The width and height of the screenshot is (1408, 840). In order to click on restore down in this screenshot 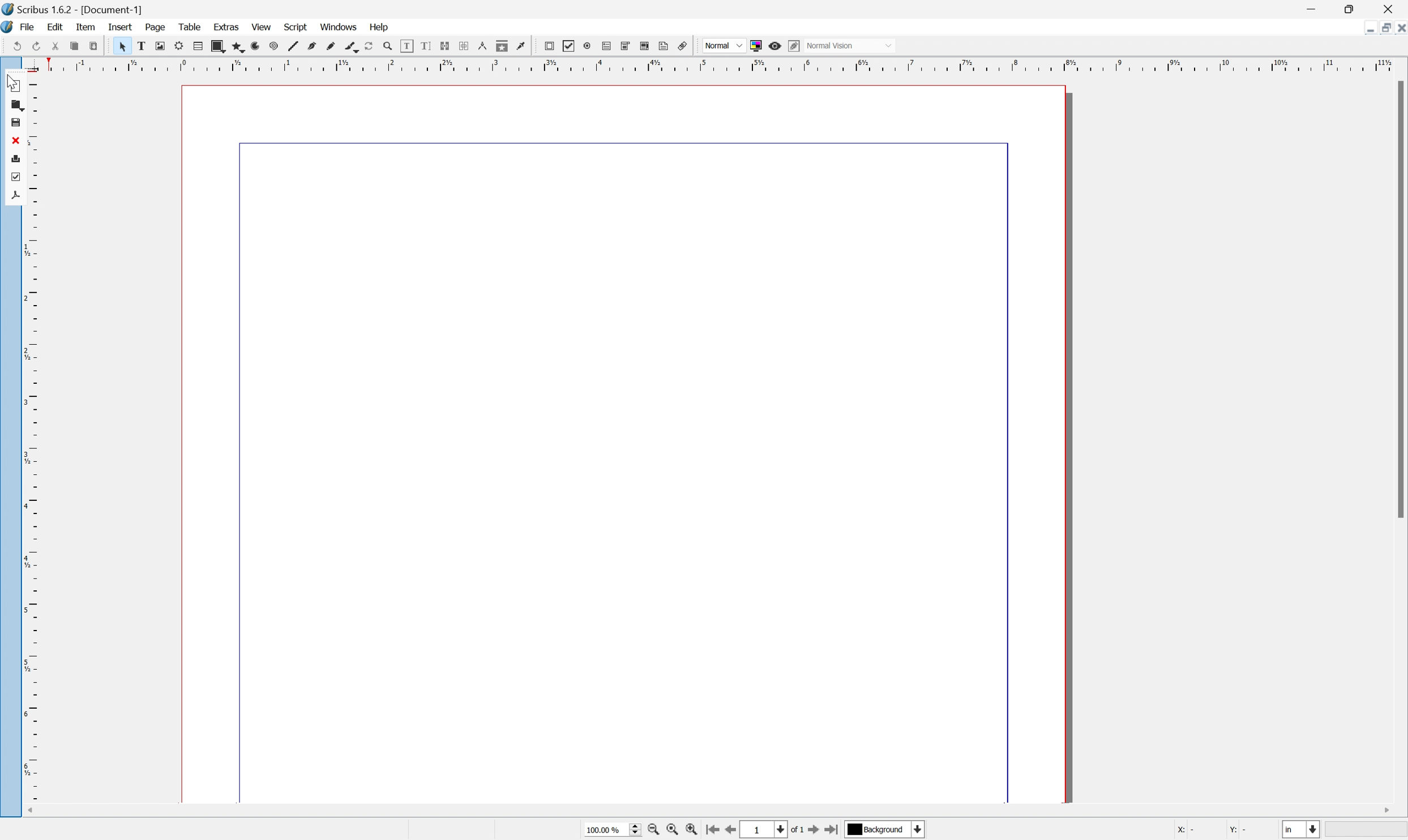, I will do `click(1351, 8)`.